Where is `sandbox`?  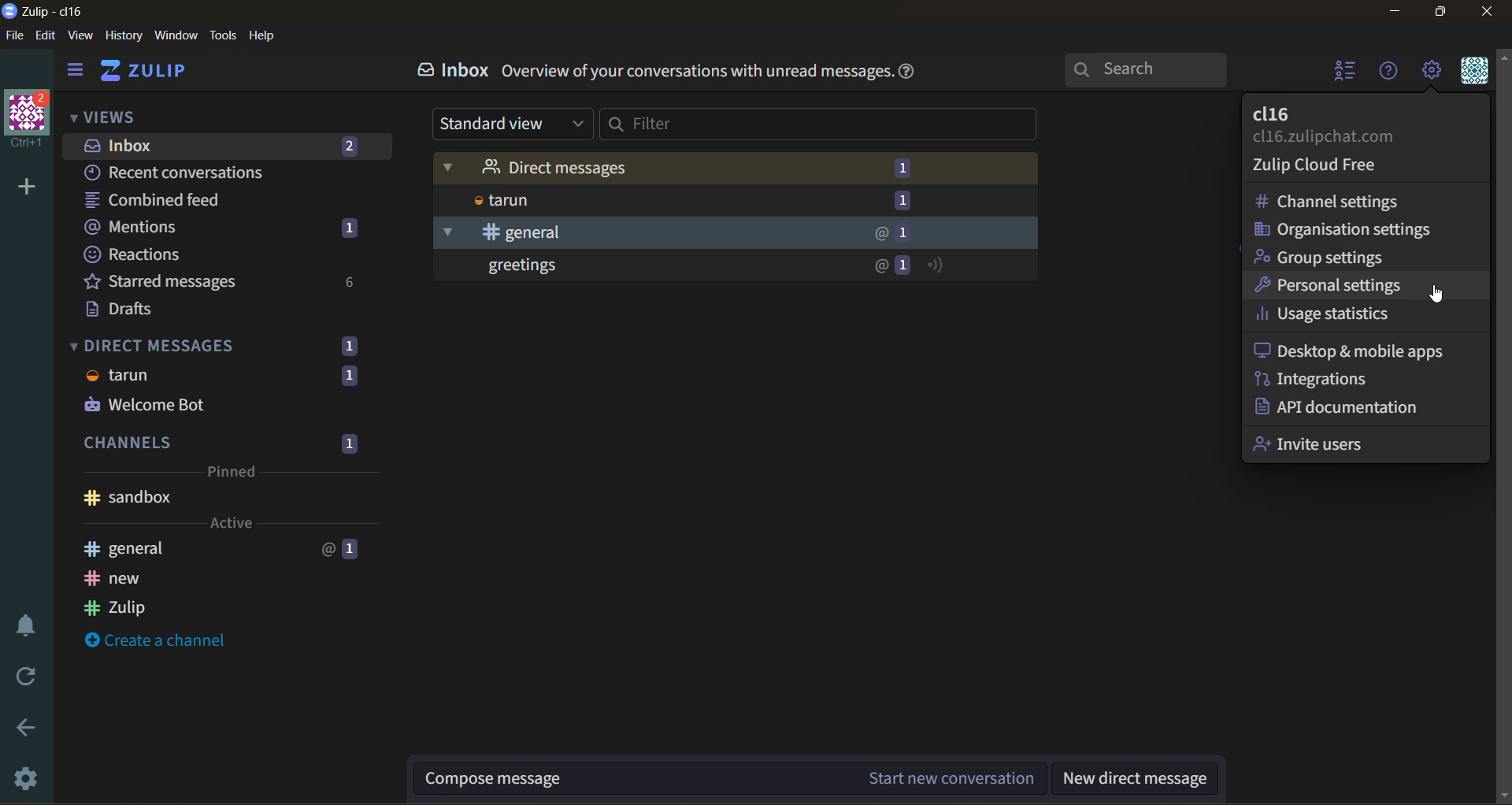 sandbox is located at coordinates (129, 498).